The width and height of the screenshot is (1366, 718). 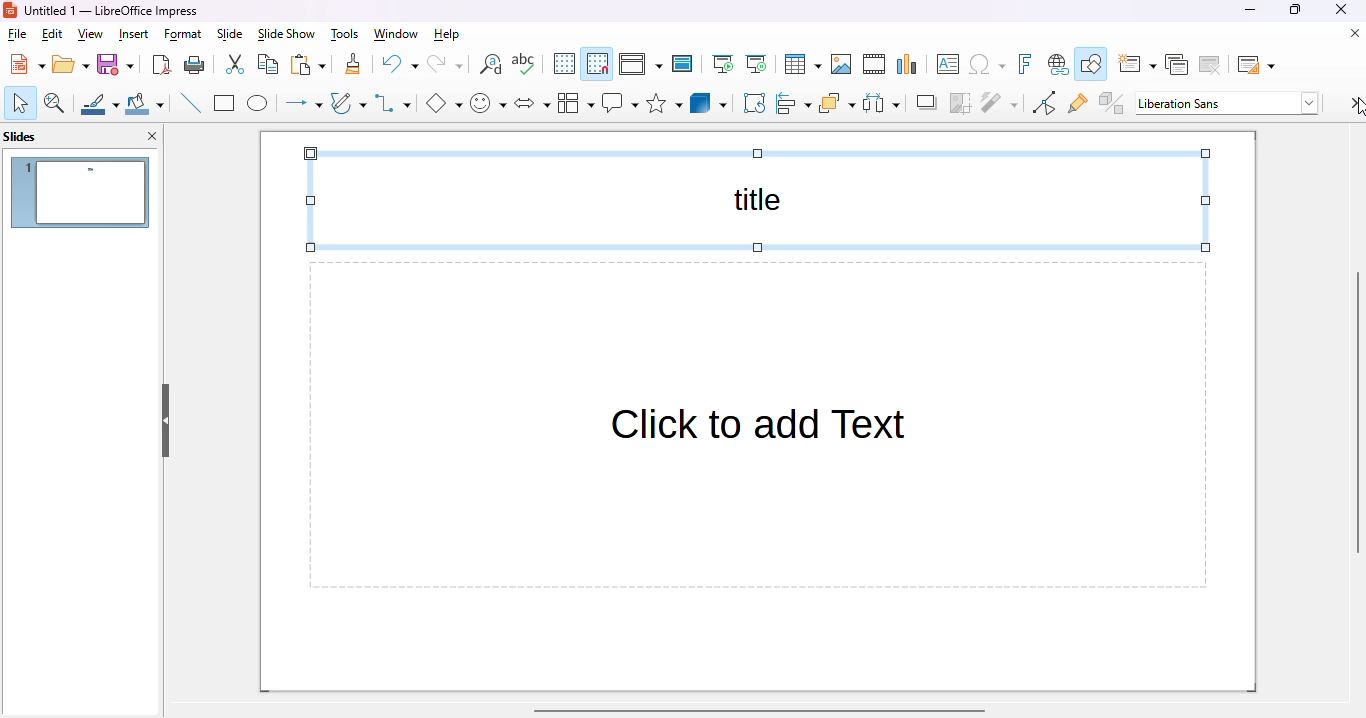 What do you see at coordinates (837, 103) in the screenshot?
I see `arrange` at bounding box center [837, 103].